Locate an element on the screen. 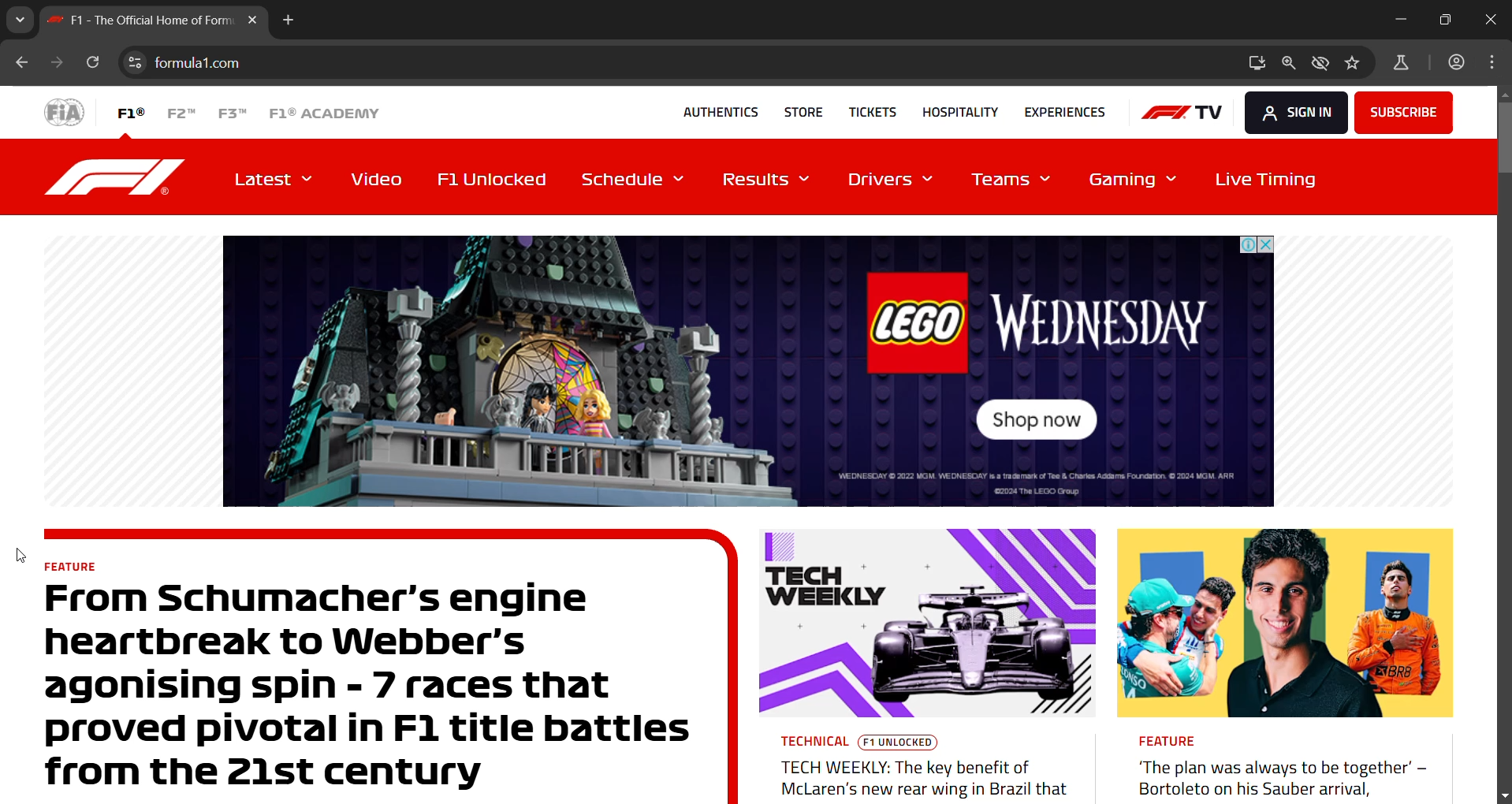 This screenshot has height=804, width=1512. subscribe is located at coordinates (1402, 111).